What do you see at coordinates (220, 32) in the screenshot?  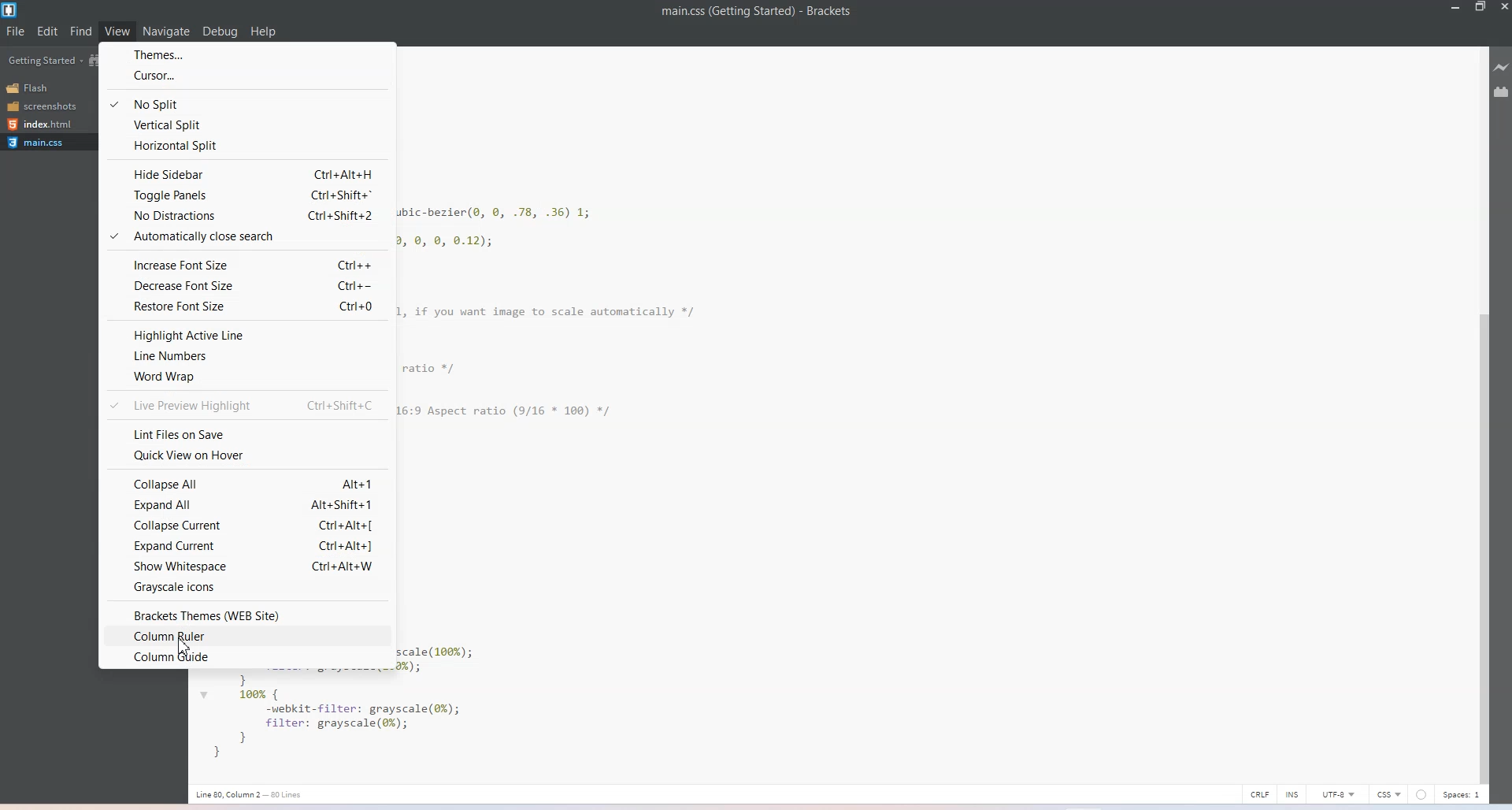 I see `Debug` at bounding box center [220, 32].